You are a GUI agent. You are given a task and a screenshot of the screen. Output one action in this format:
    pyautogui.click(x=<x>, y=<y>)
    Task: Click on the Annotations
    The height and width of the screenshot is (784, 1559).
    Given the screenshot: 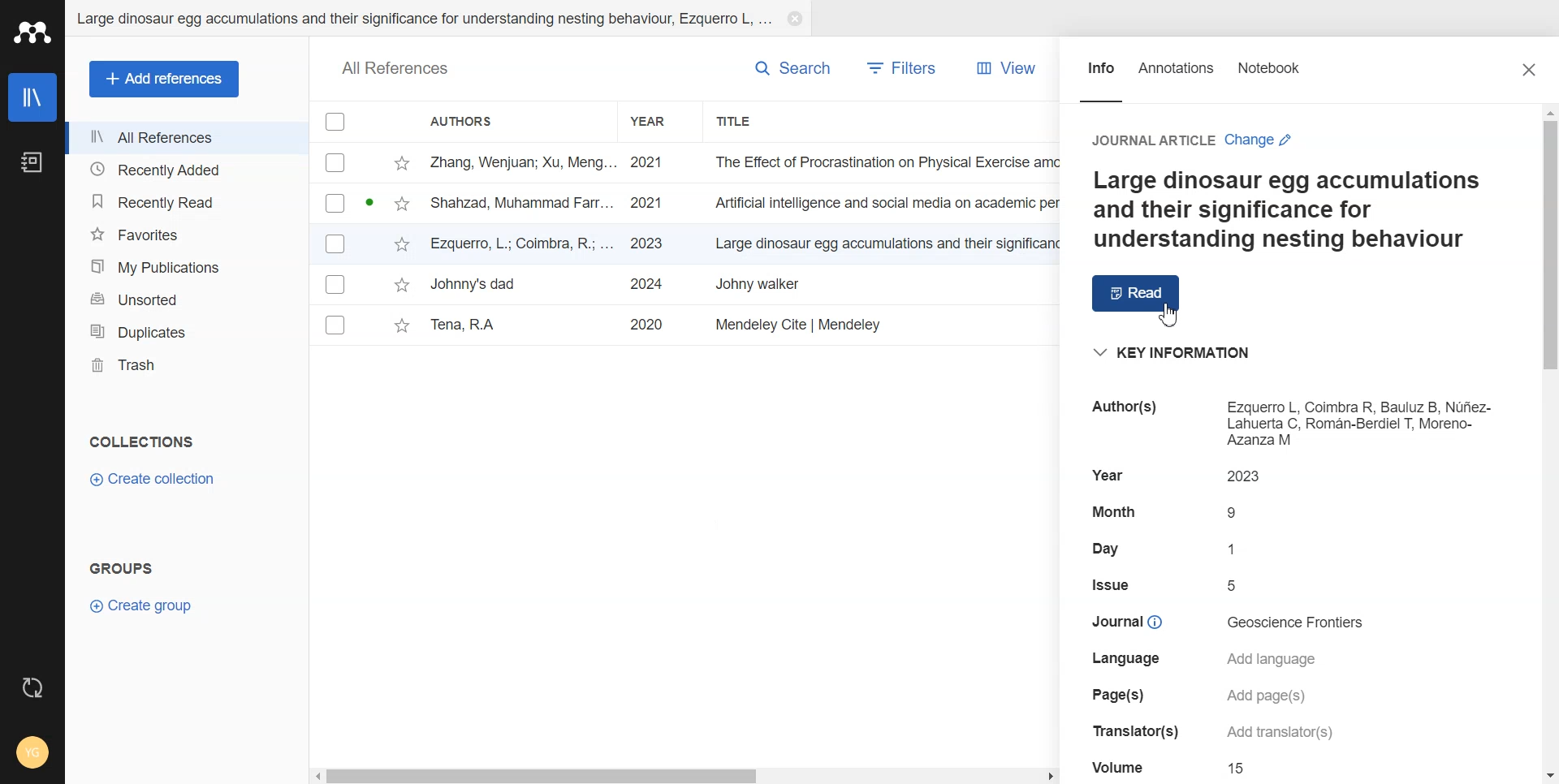 What is the action you would take?
    pyautogui.click(x=1177, y=77)
    